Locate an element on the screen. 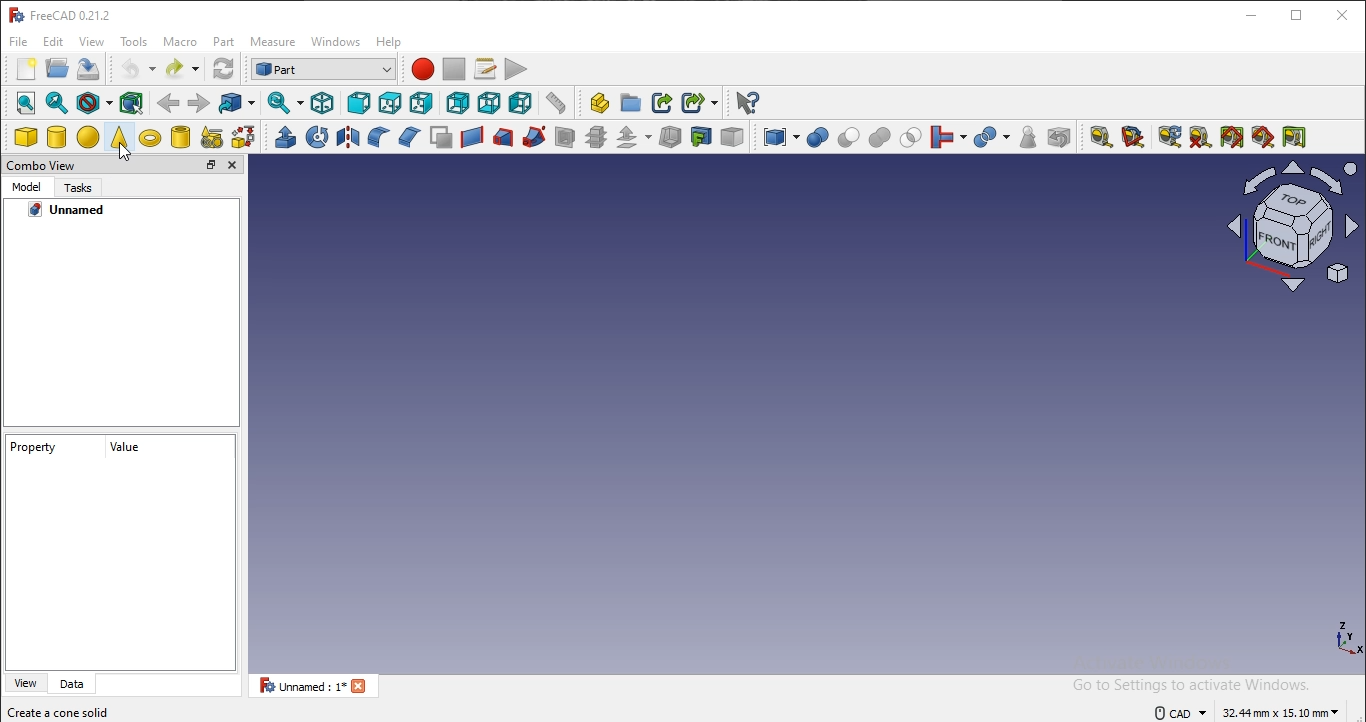  forward is located at coordinates (200, 103).